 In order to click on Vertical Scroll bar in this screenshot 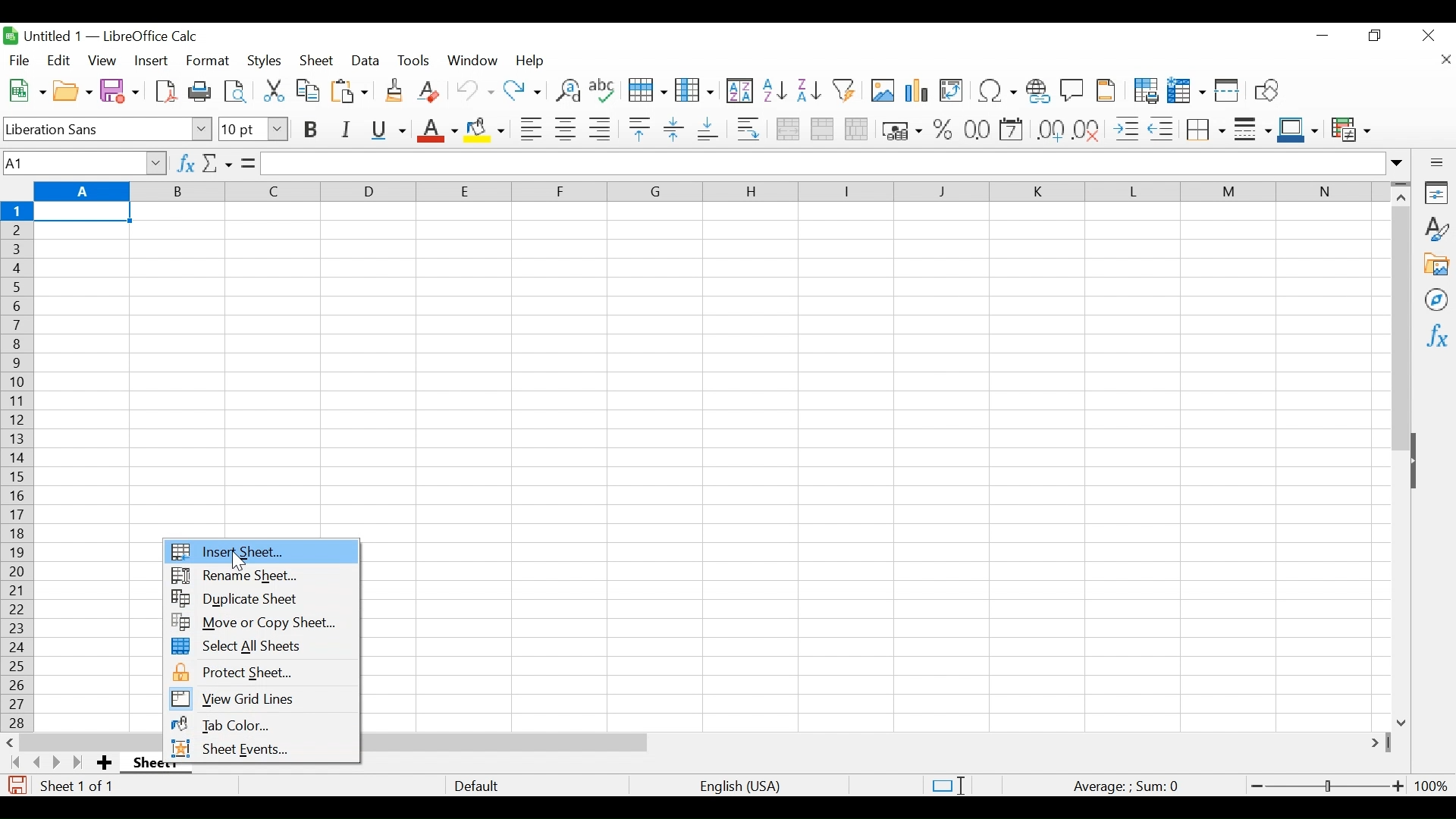, I will do `click(1401, 330)`.